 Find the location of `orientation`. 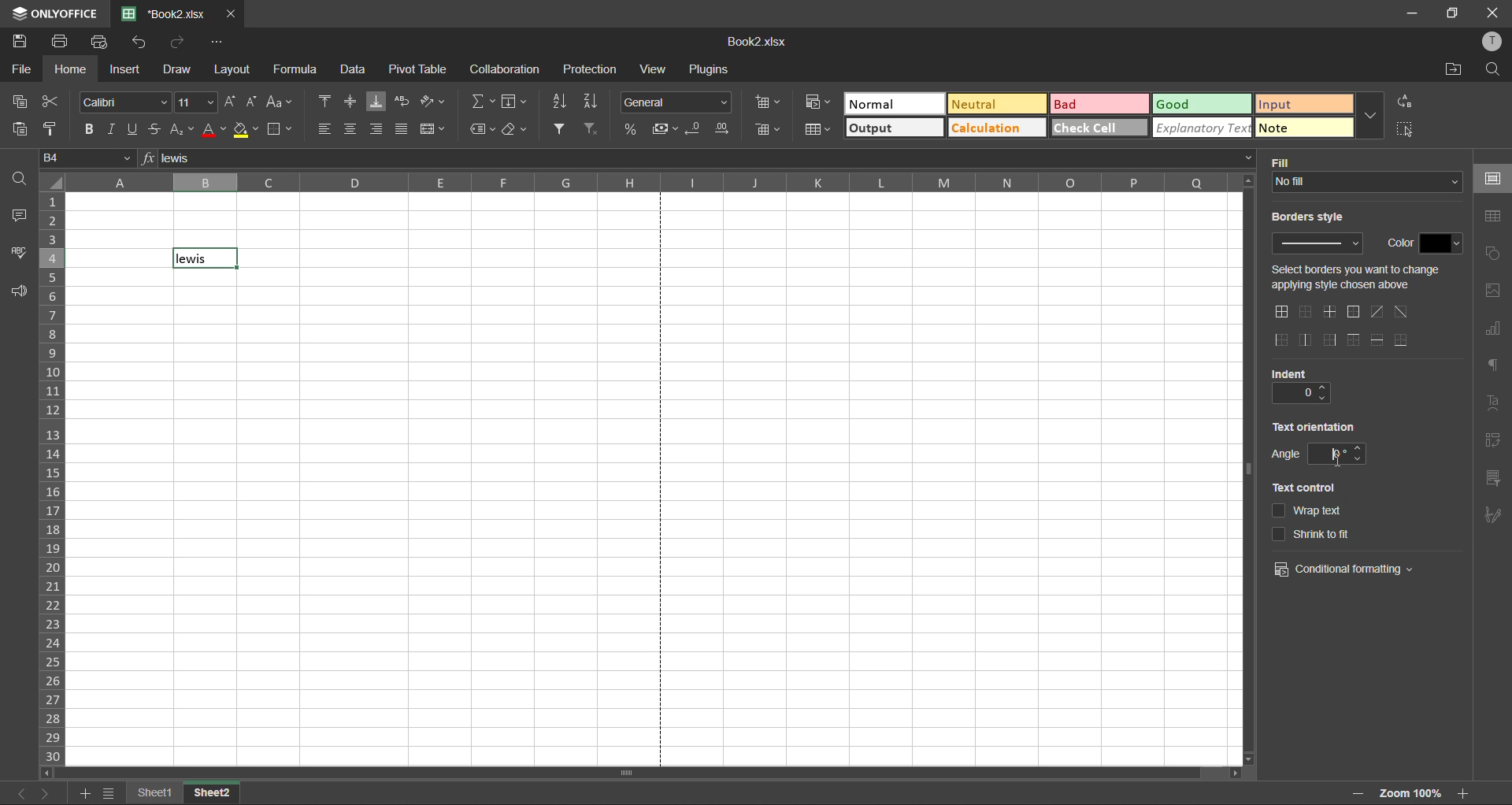

orientation is located at coordinates (432, 100).